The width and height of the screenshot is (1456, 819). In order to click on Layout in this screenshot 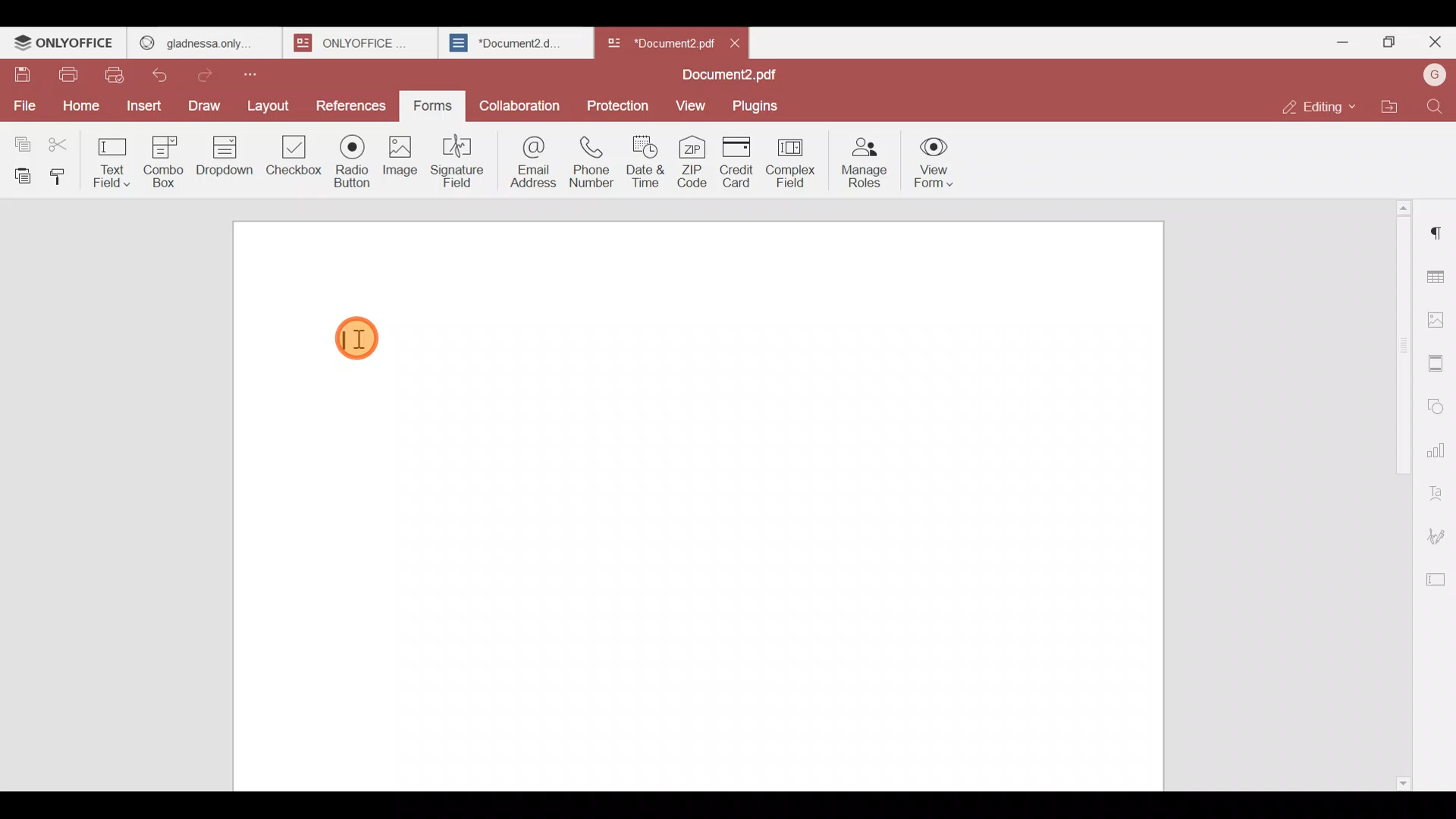, I will do `click(269, 102)`.